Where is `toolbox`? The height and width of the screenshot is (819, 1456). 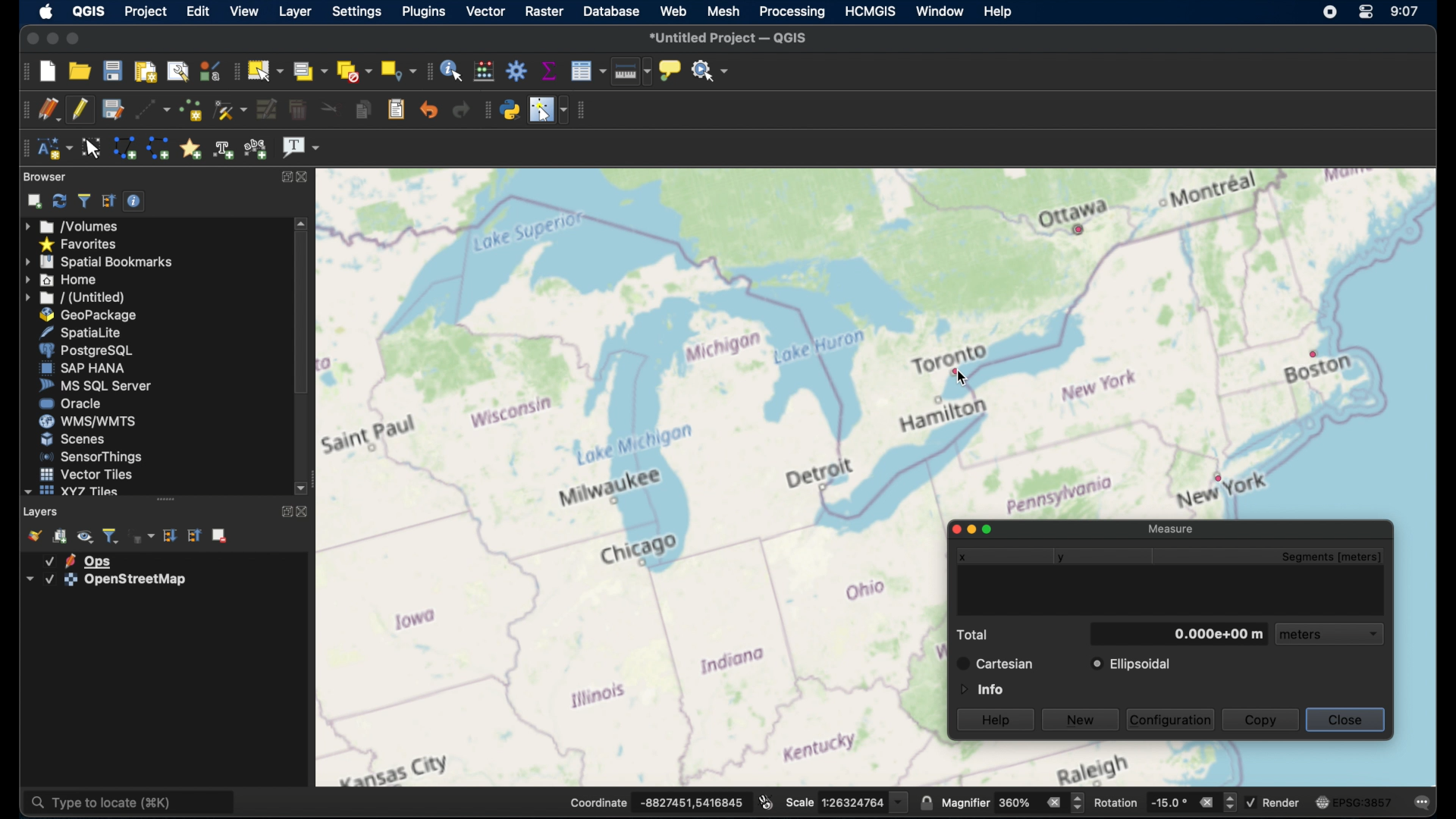 toolbox is located at coordinates (518, 70).